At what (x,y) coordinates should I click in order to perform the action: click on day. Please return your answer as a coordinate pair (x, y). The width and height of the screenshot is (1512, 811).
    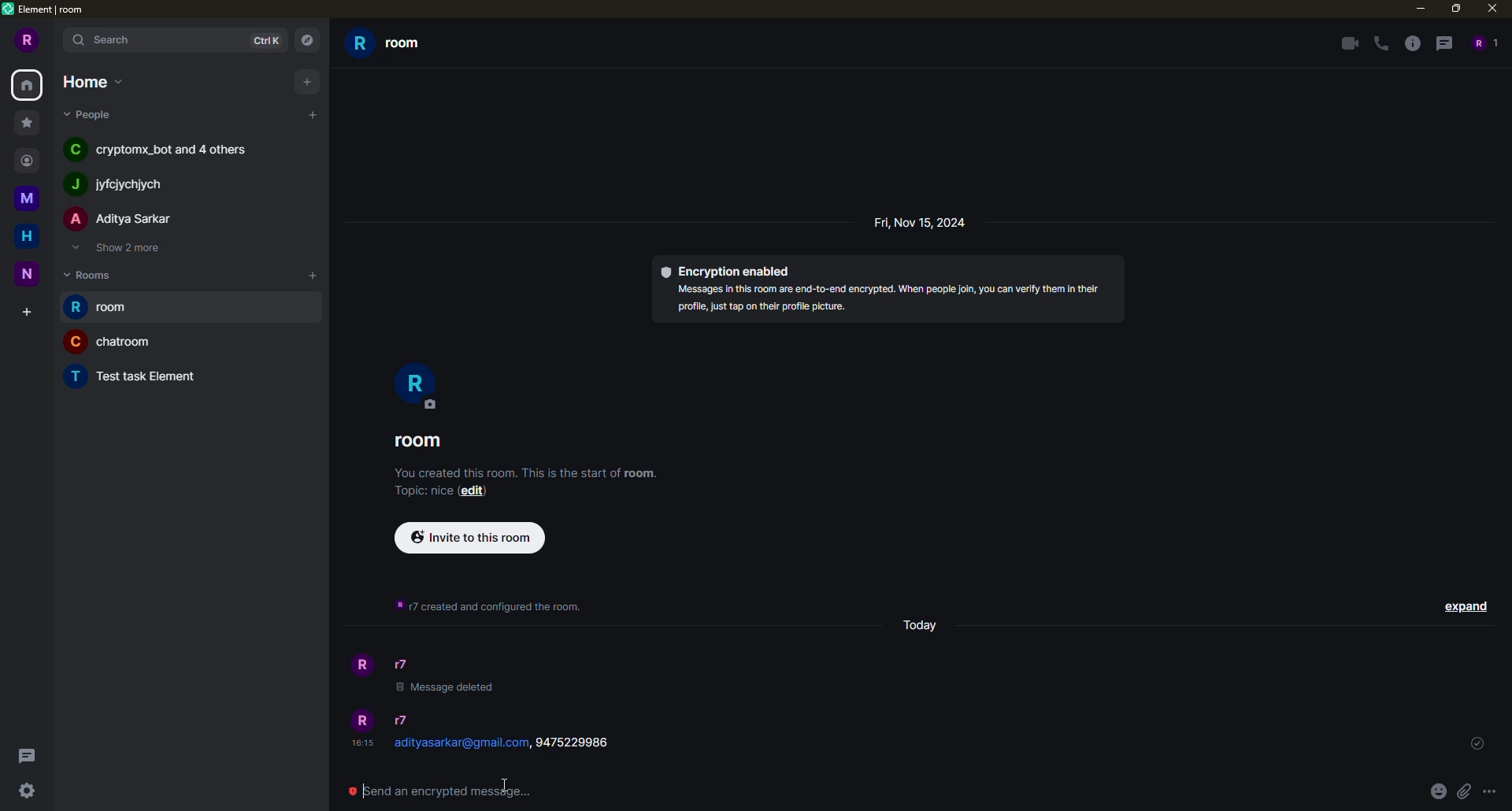
    Looking at the image, I should click on (922, 622).